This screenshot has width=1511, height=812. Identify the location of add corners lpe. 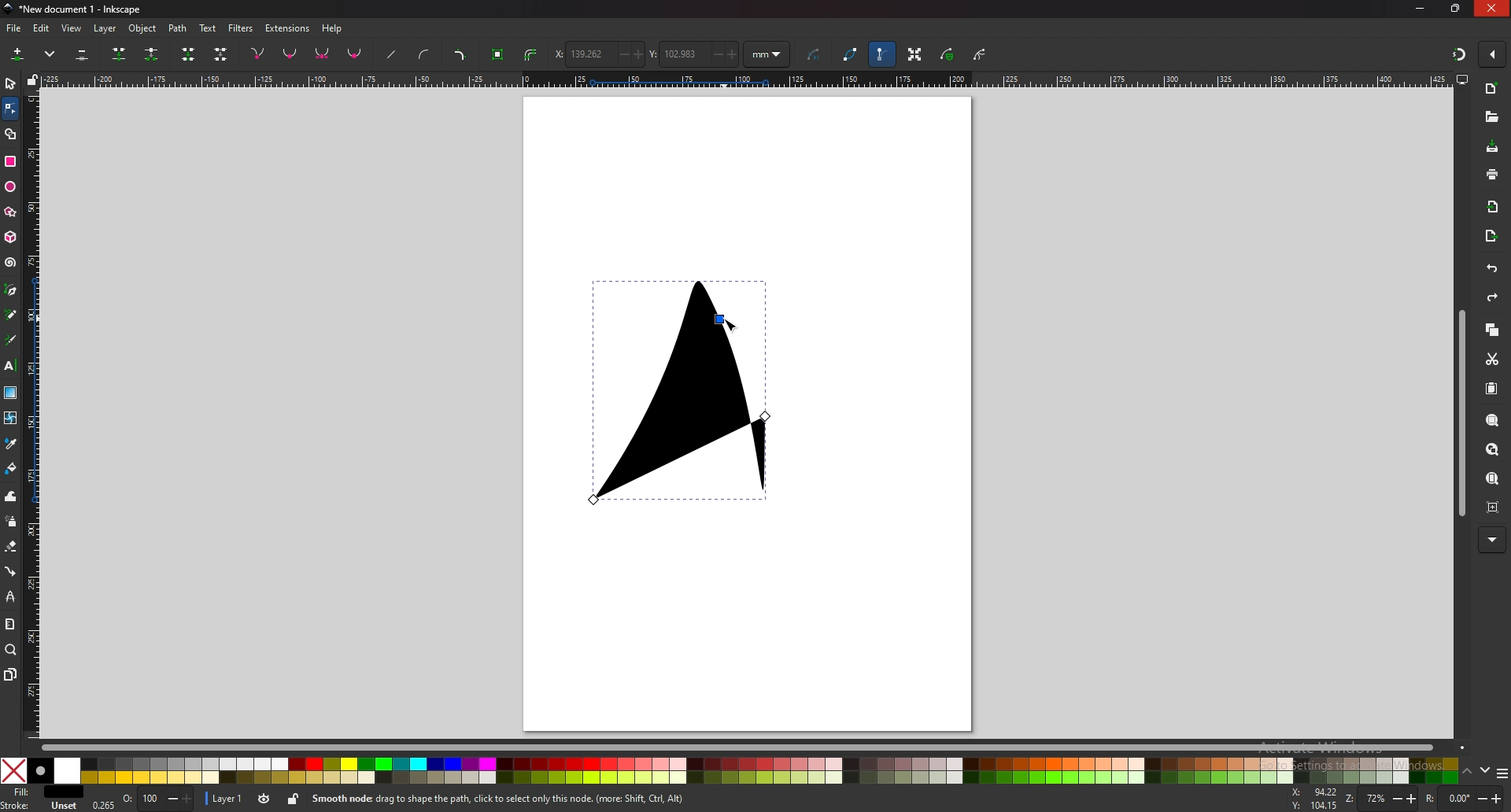
(460, 55).